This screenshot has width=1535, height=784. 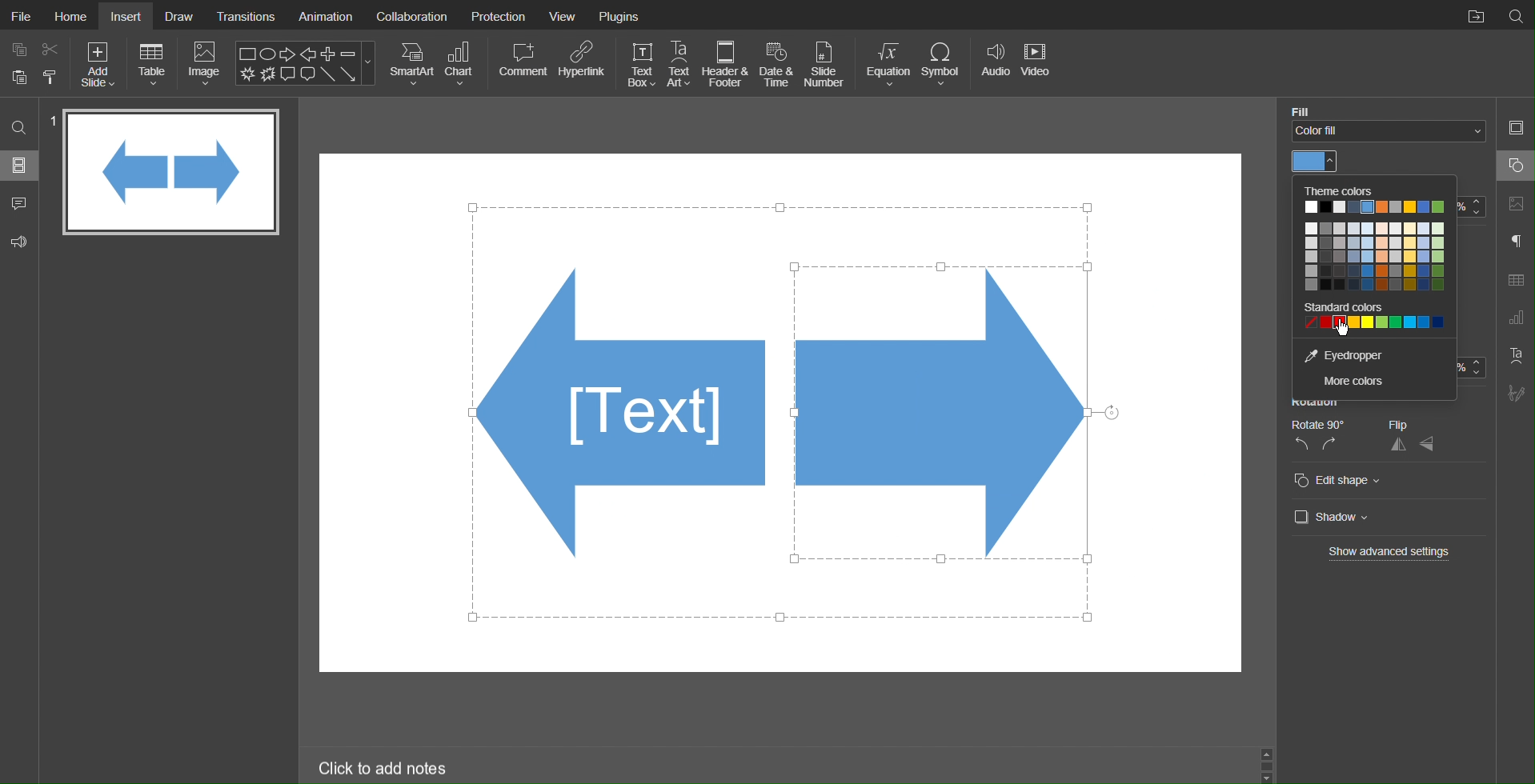 I want to click on cut, so click(x=51, y=48).